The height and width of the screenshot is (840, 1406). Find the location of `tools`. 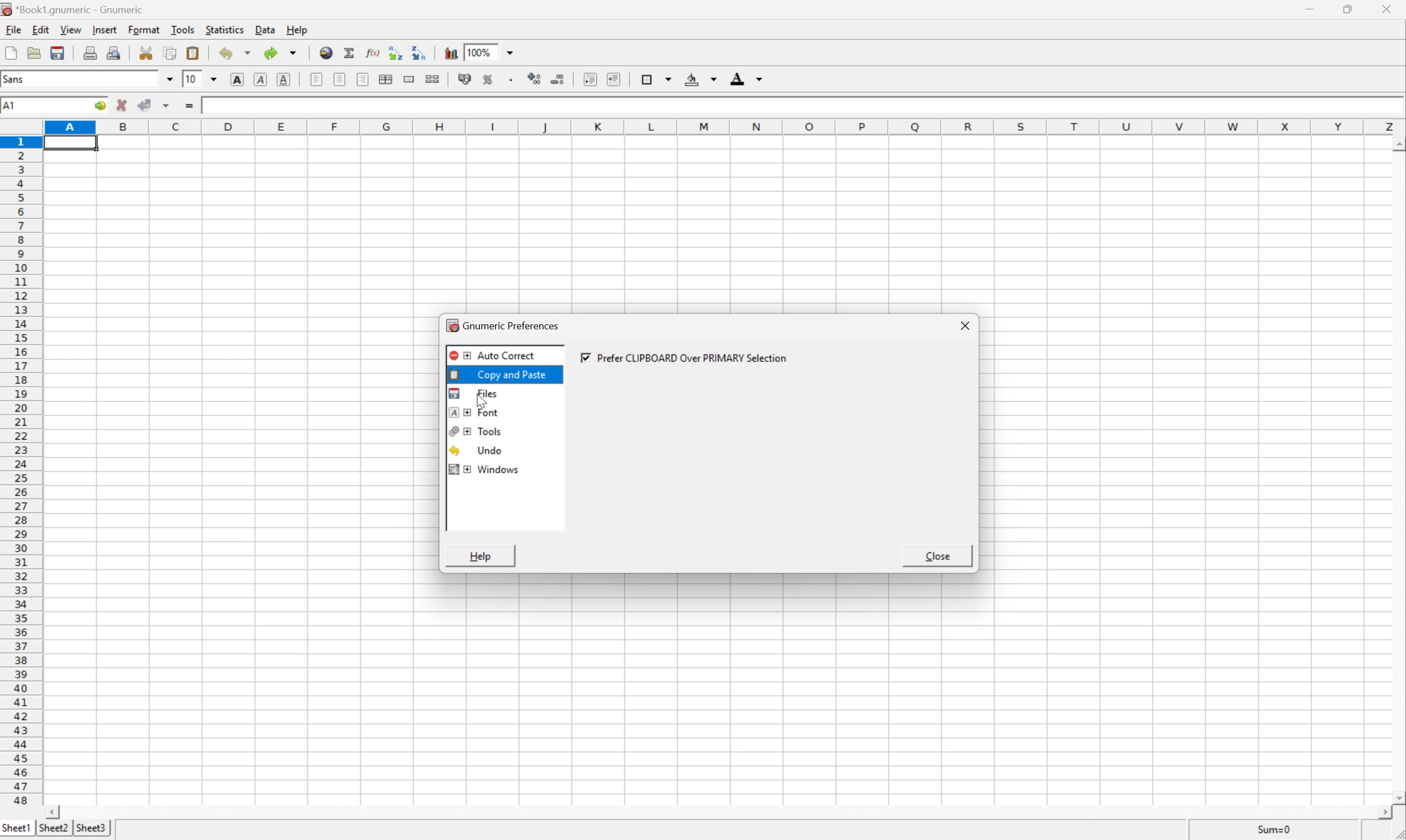

tools is located at coordinates (181, 31).